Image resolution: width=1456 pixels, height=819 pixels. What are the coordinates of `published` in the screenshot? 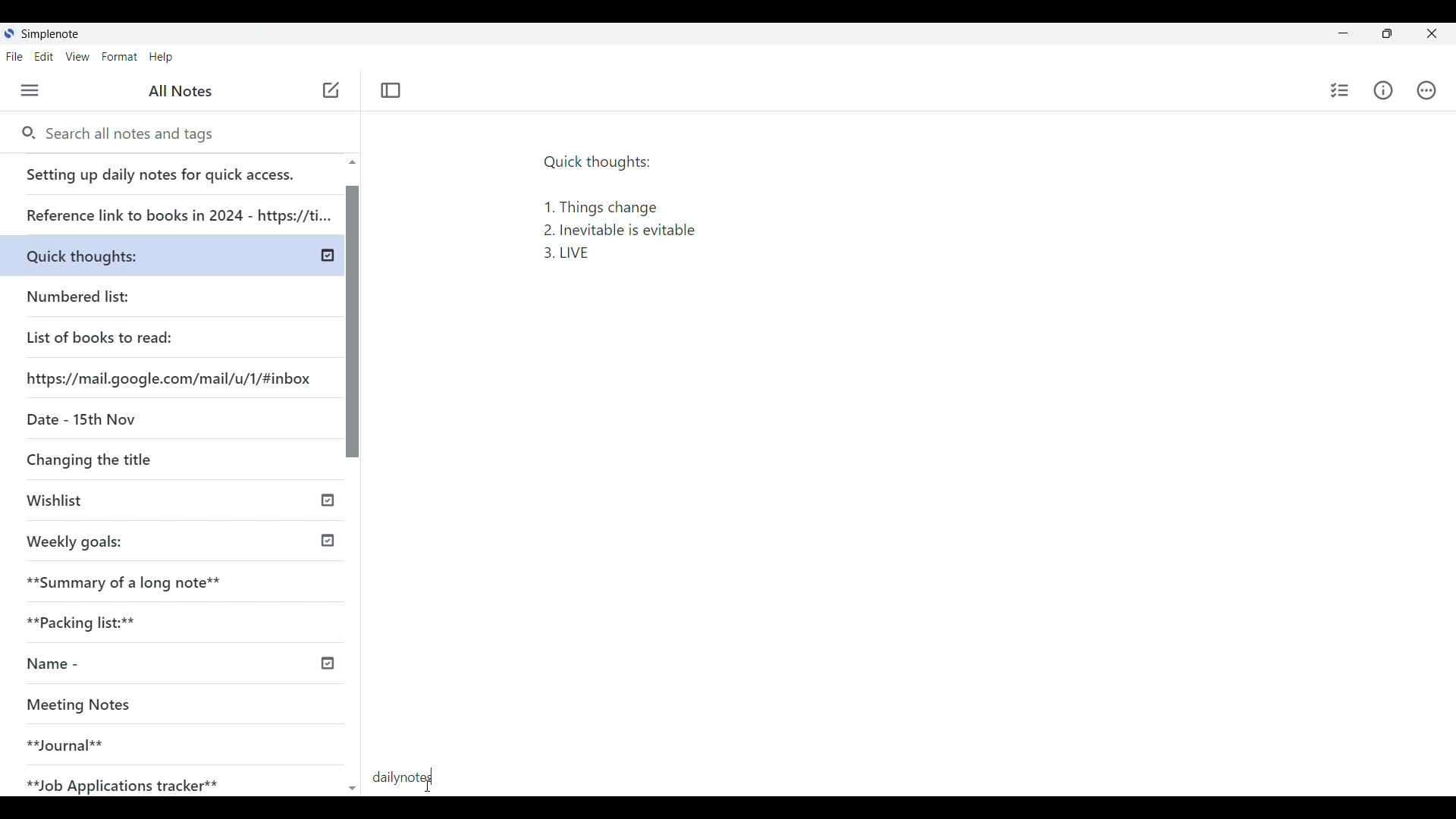 It's located at (326, 664).